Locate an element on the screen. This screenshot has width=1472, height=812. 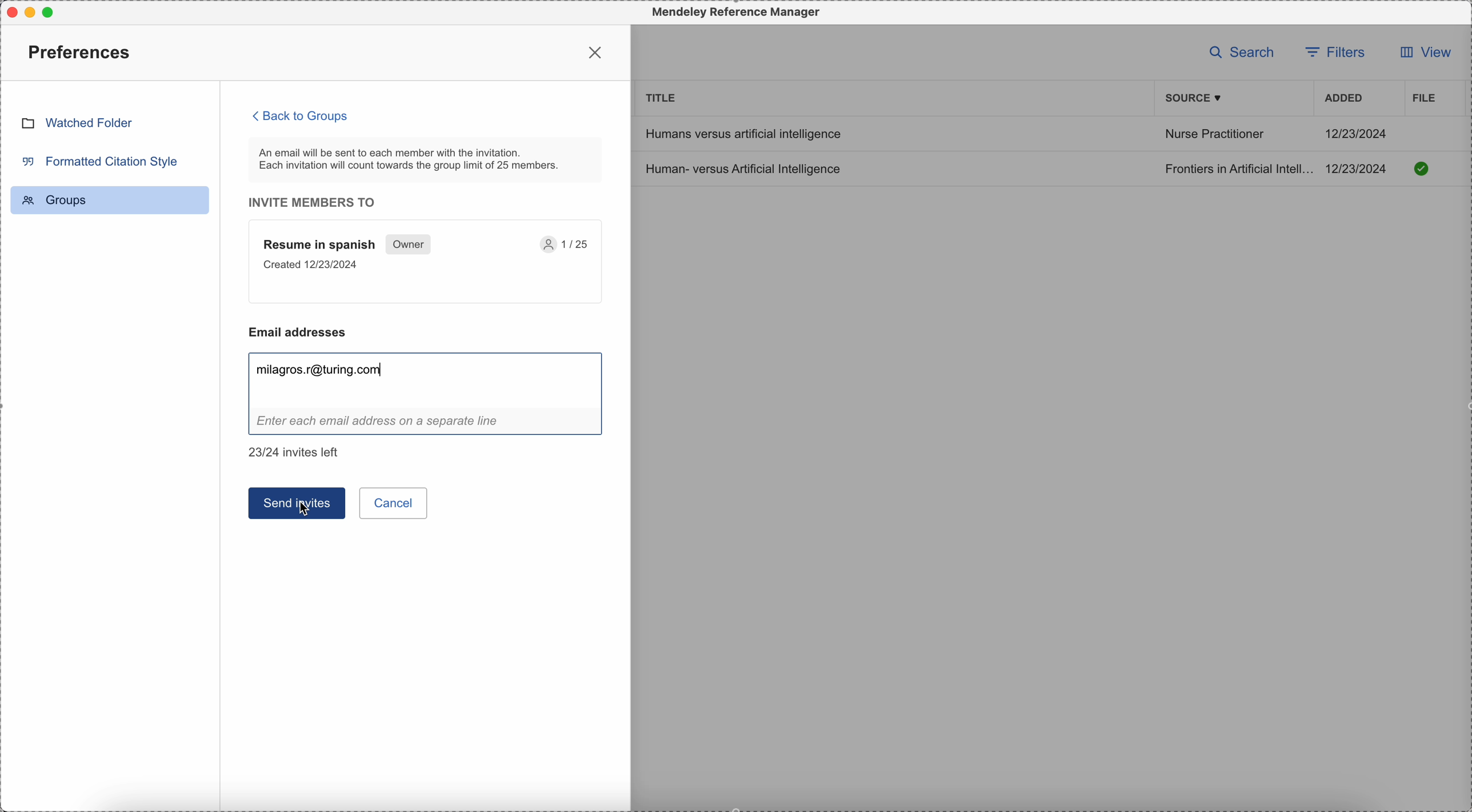
watched folder is located at coordinates (77, 122).